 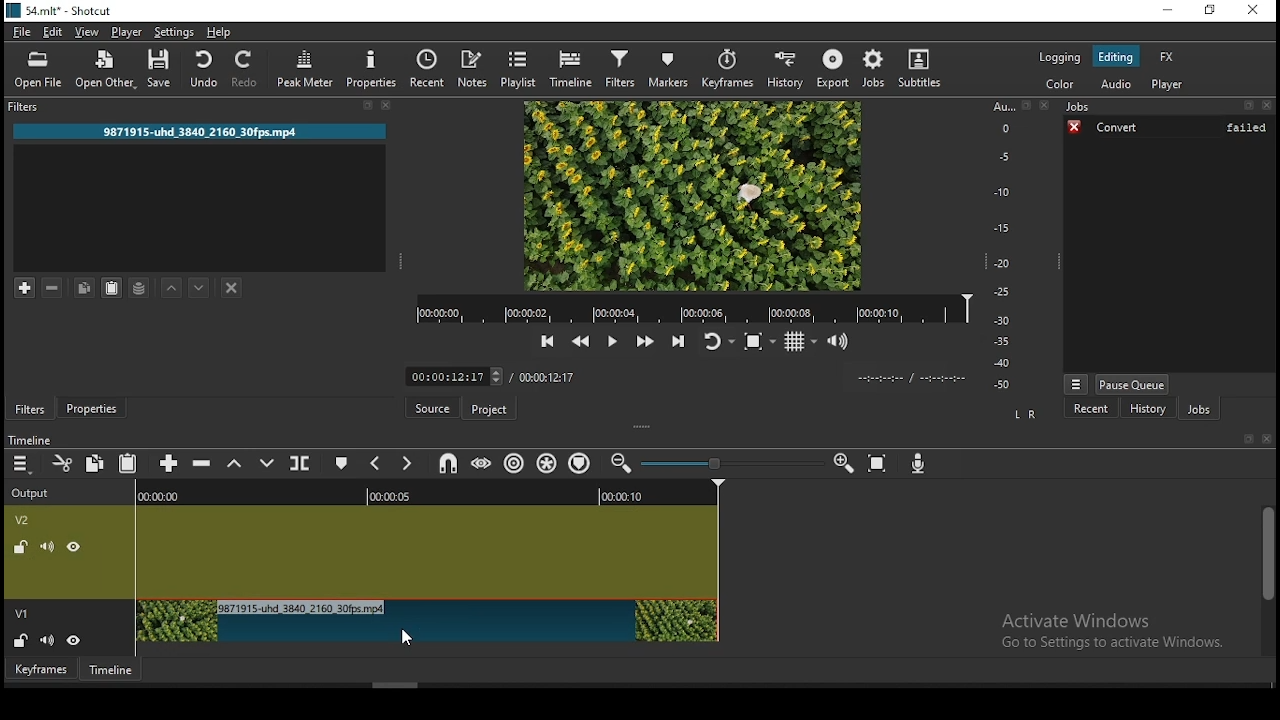 What do you see at coordinates (304, 70) in the screenshot?
I see `peak meter` at bounding box center [304, 70].